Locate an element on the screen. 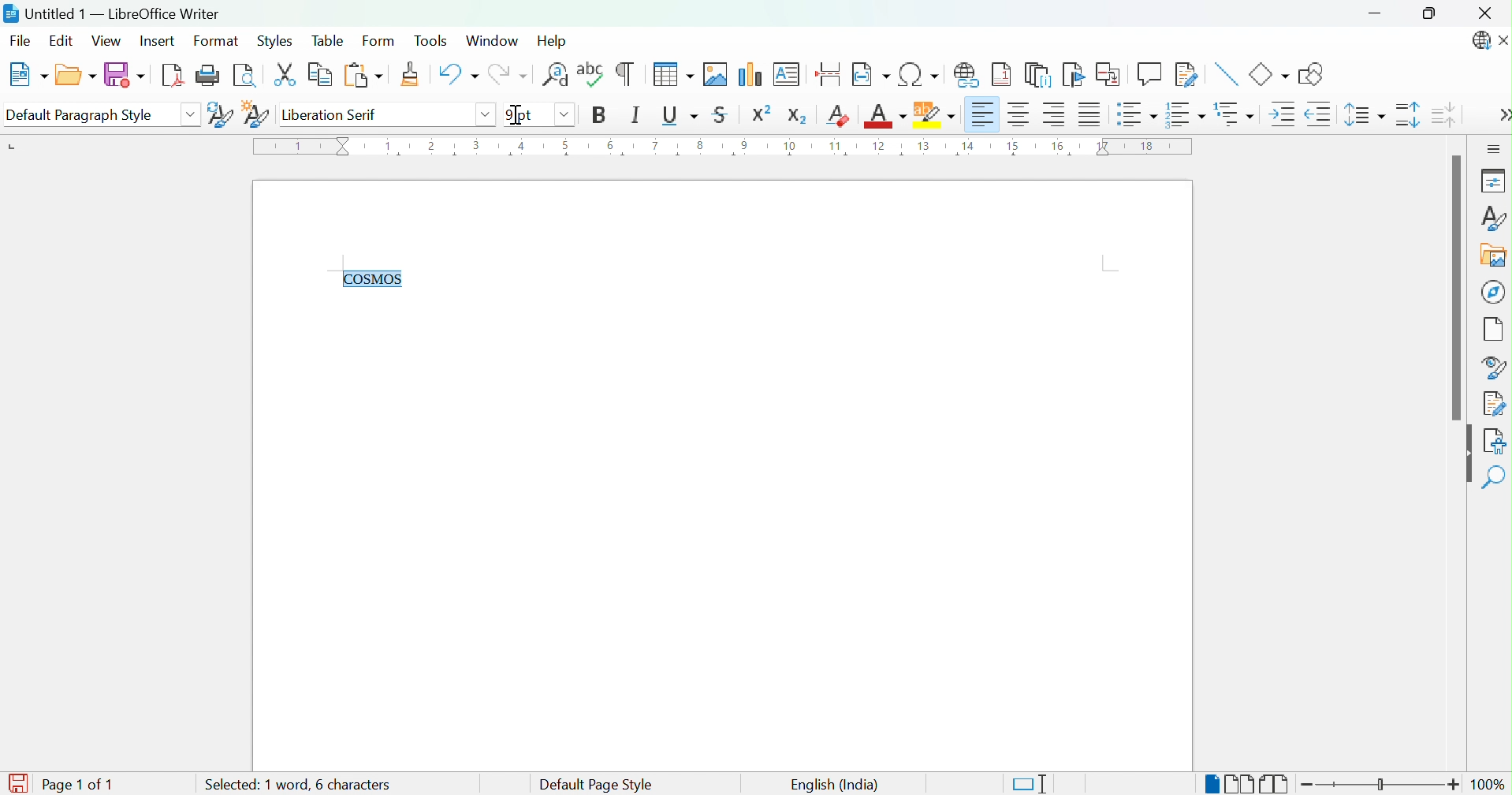 The width and height of the screenshot is (1512, 795). Manage Settings is located at coordinates (1494, 402).